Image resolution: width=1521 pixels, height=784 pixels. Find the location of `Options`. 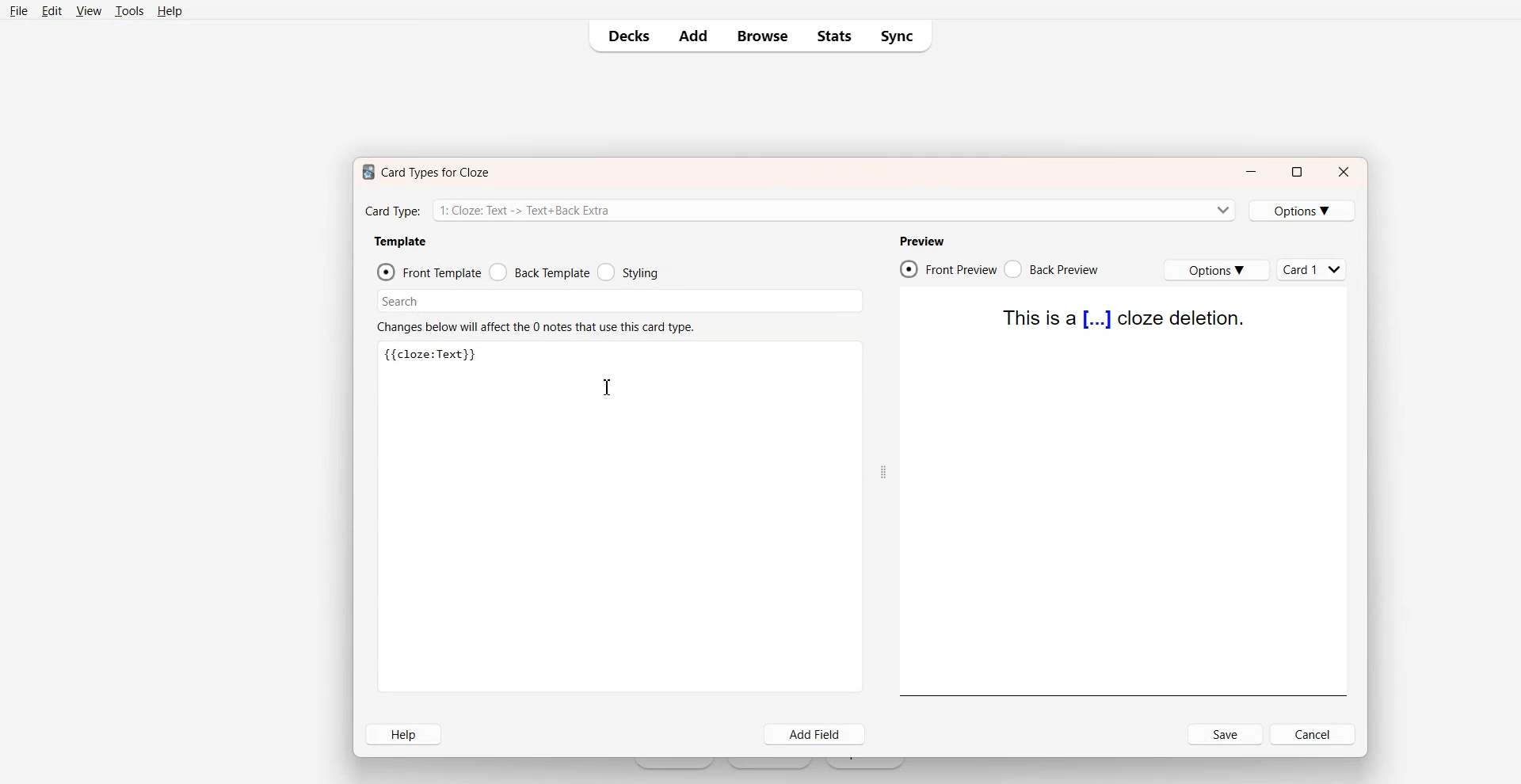

Options is located at coordinates (1216, 270).